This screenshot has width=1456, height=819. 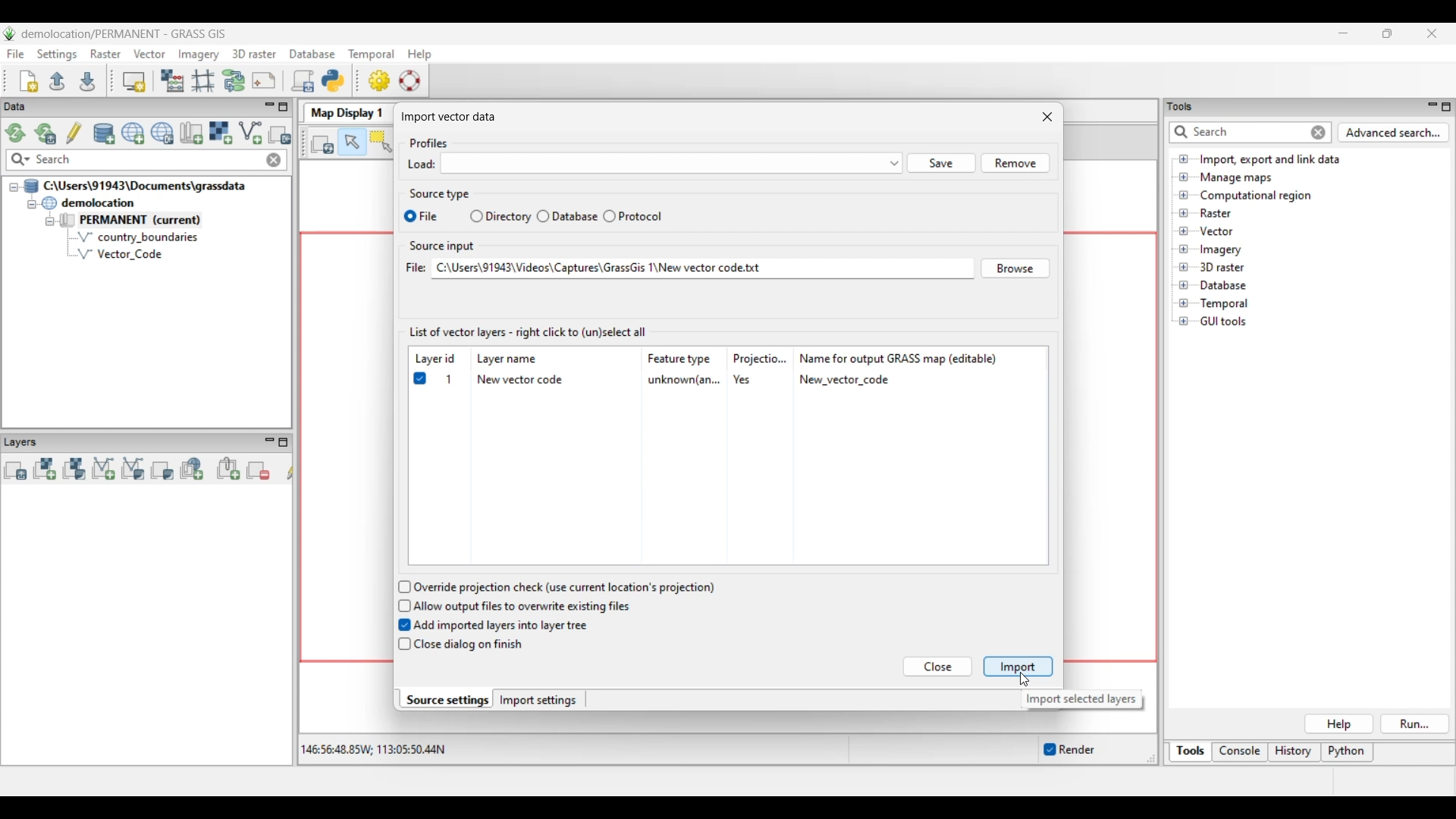 What do you see at coordinates (1068, 750) in the screenshot?
I see `Enable/Disable auto-rendering` at bounding box center [1068, 750].